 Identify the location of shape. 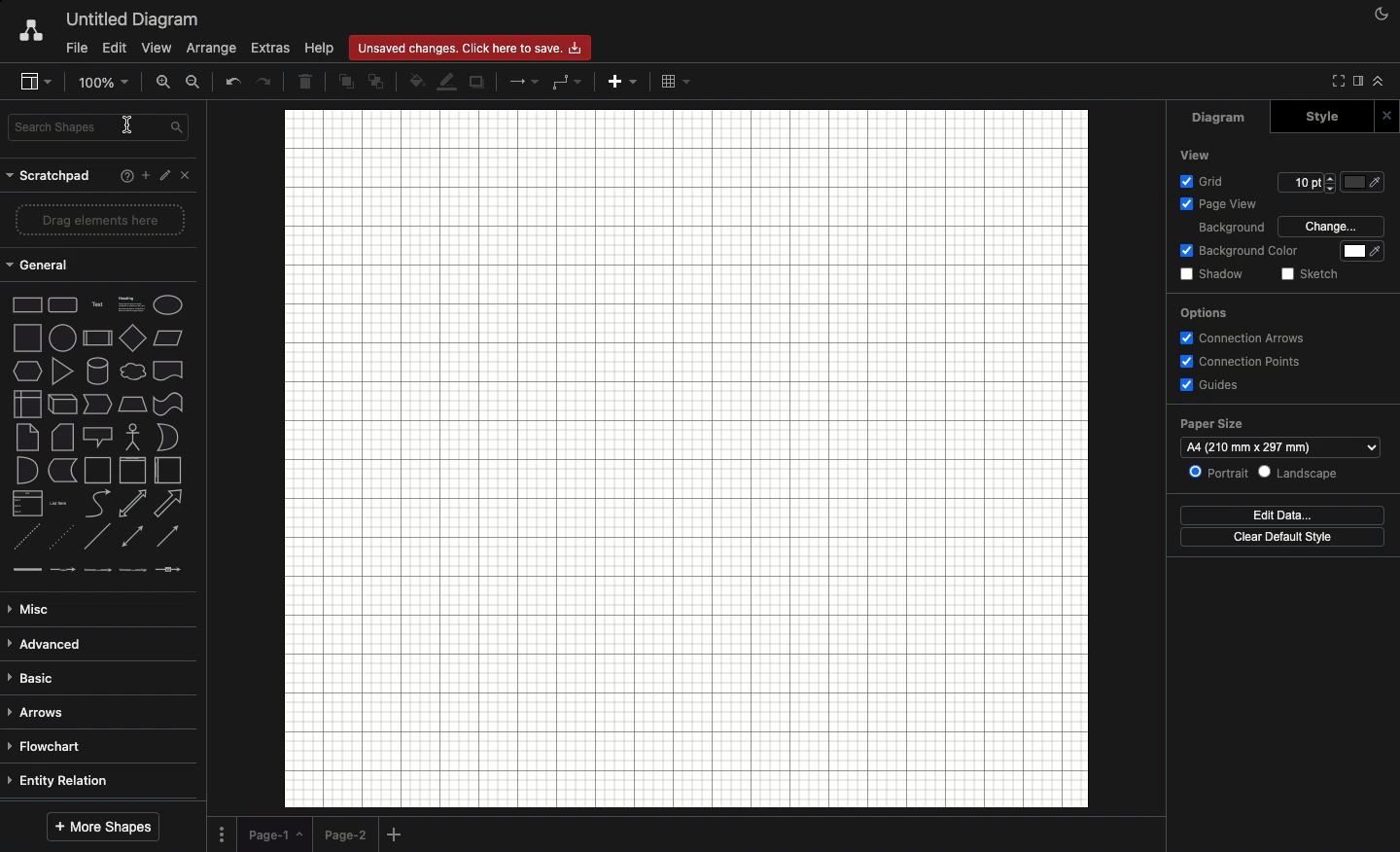
(99, 438).